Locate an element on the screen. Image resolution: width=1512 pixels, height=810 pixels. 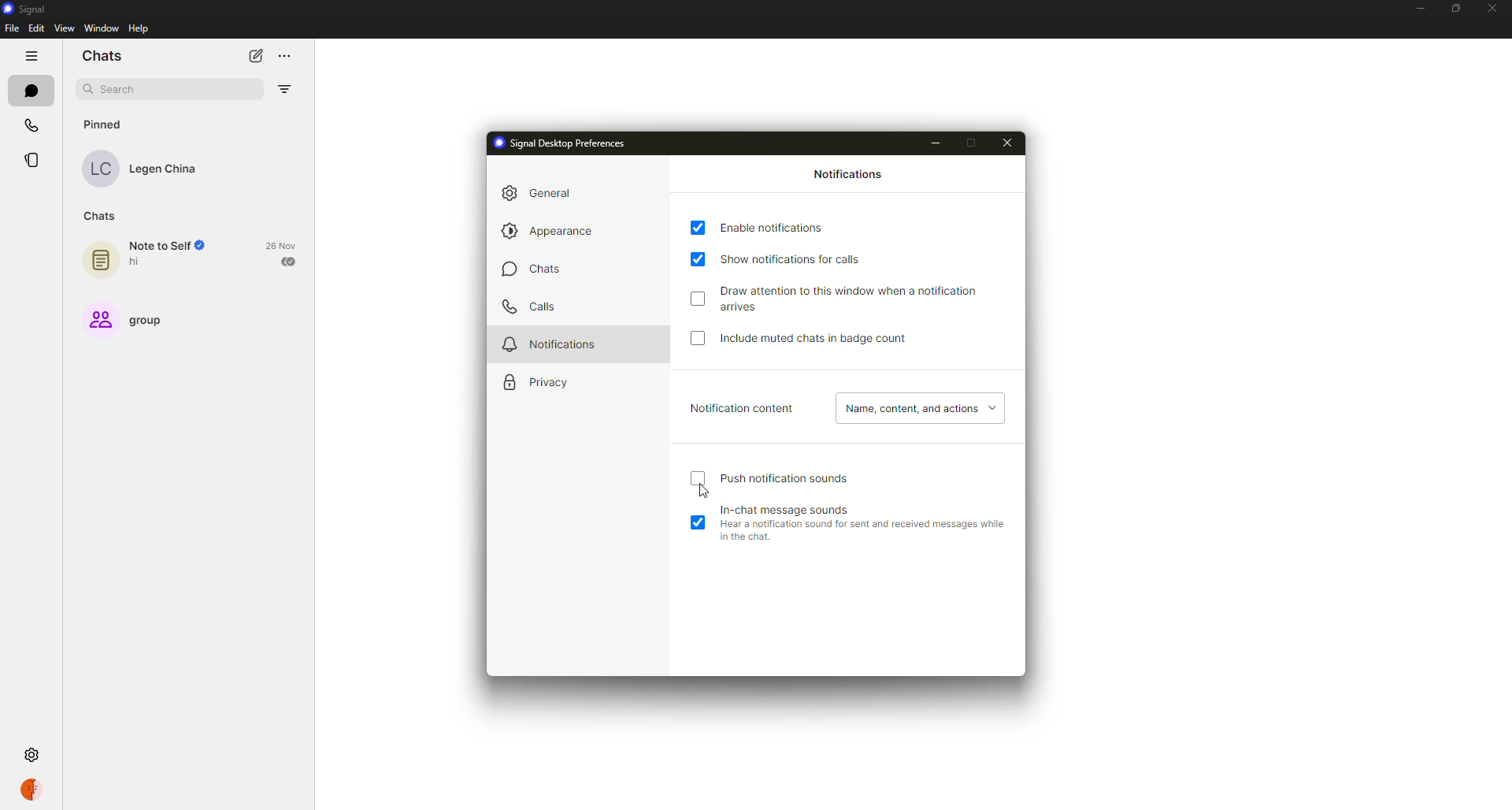
edit is located at coordinates (36, 28).